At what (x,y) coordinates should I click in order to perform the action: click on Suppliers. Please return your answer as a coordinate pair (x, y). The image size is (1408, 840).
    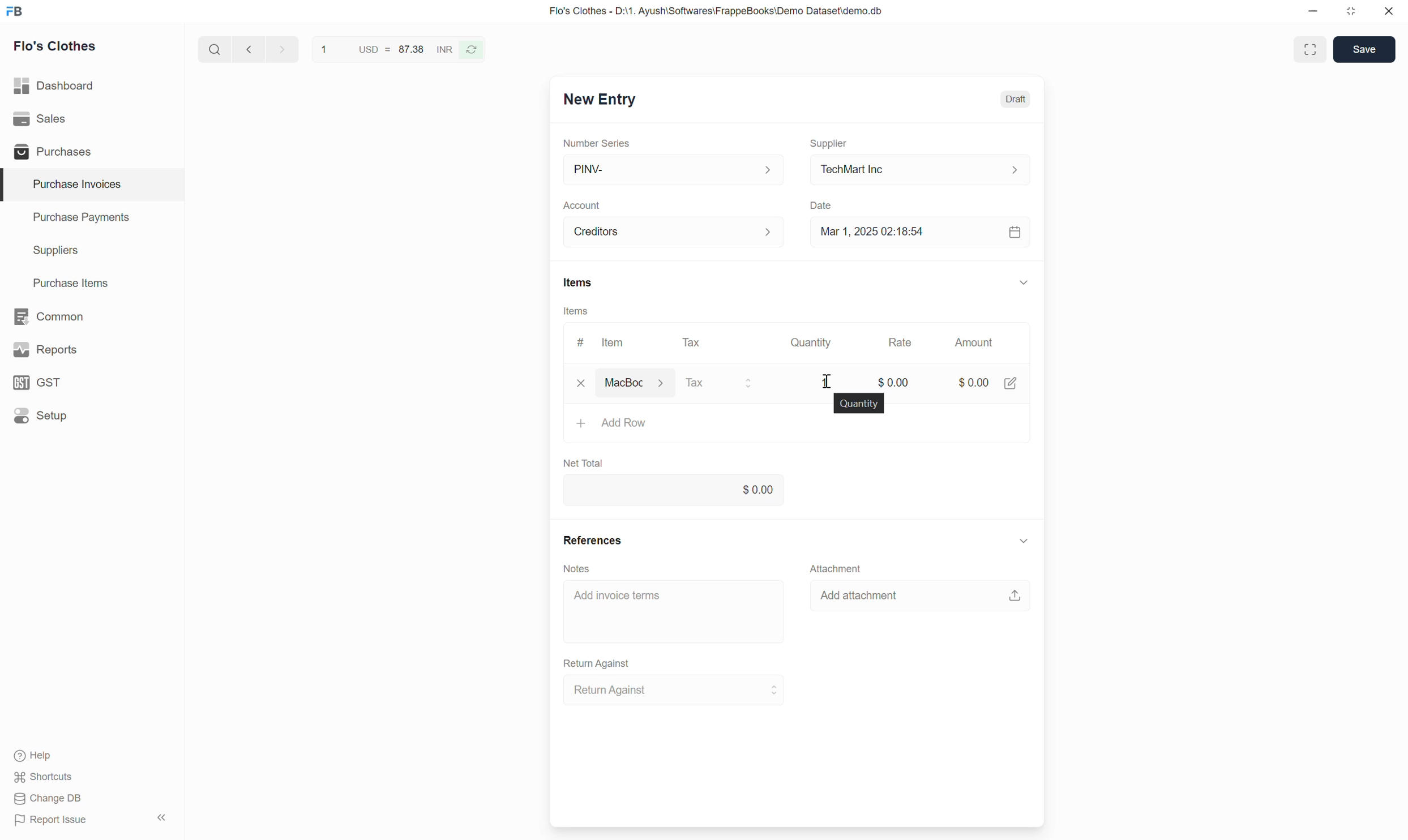
    Looking at the image, I should click on (92, 251).